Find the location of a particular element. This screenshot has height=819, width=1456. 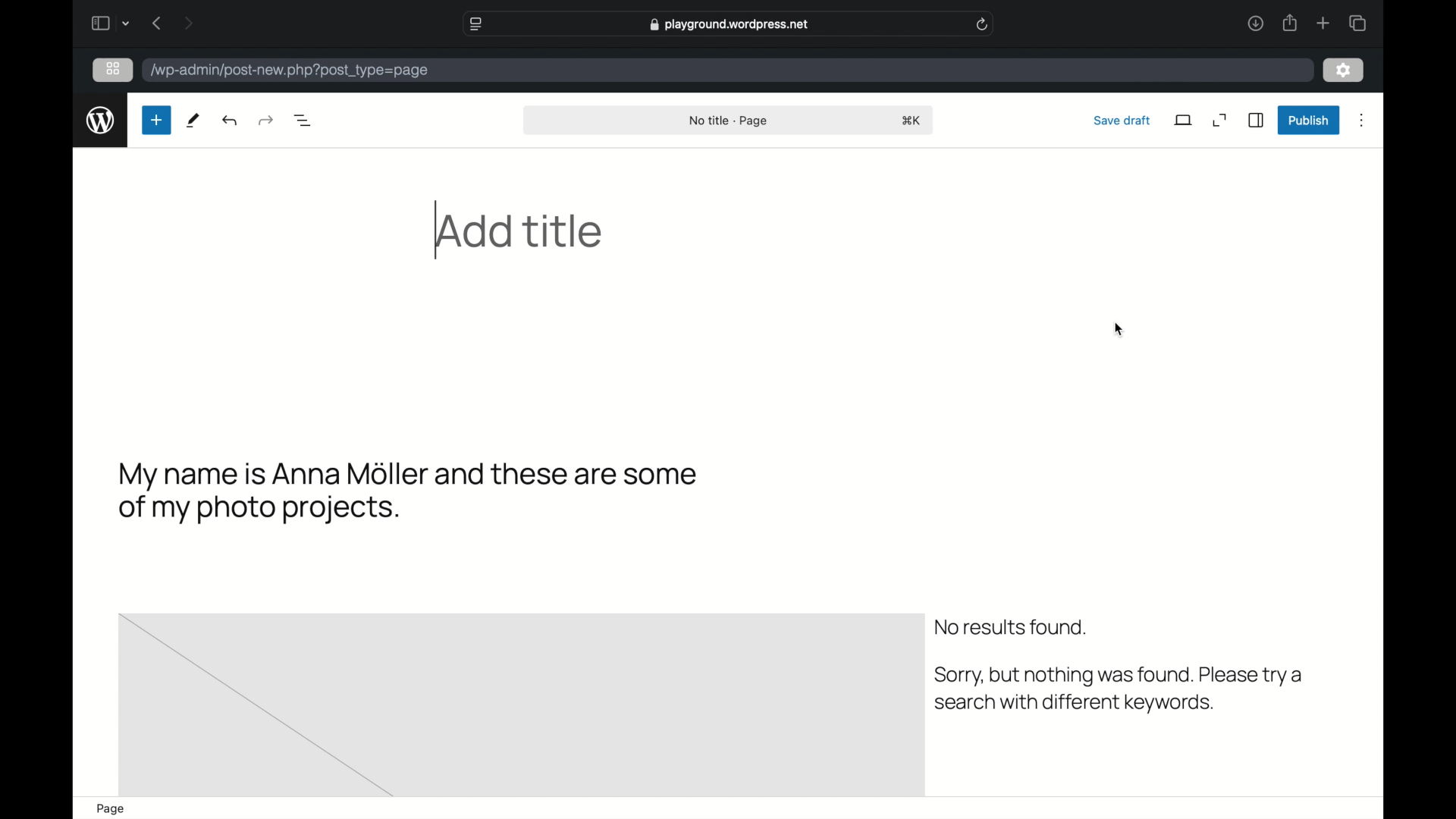

wordpress address is located at coordinates (291, 71).